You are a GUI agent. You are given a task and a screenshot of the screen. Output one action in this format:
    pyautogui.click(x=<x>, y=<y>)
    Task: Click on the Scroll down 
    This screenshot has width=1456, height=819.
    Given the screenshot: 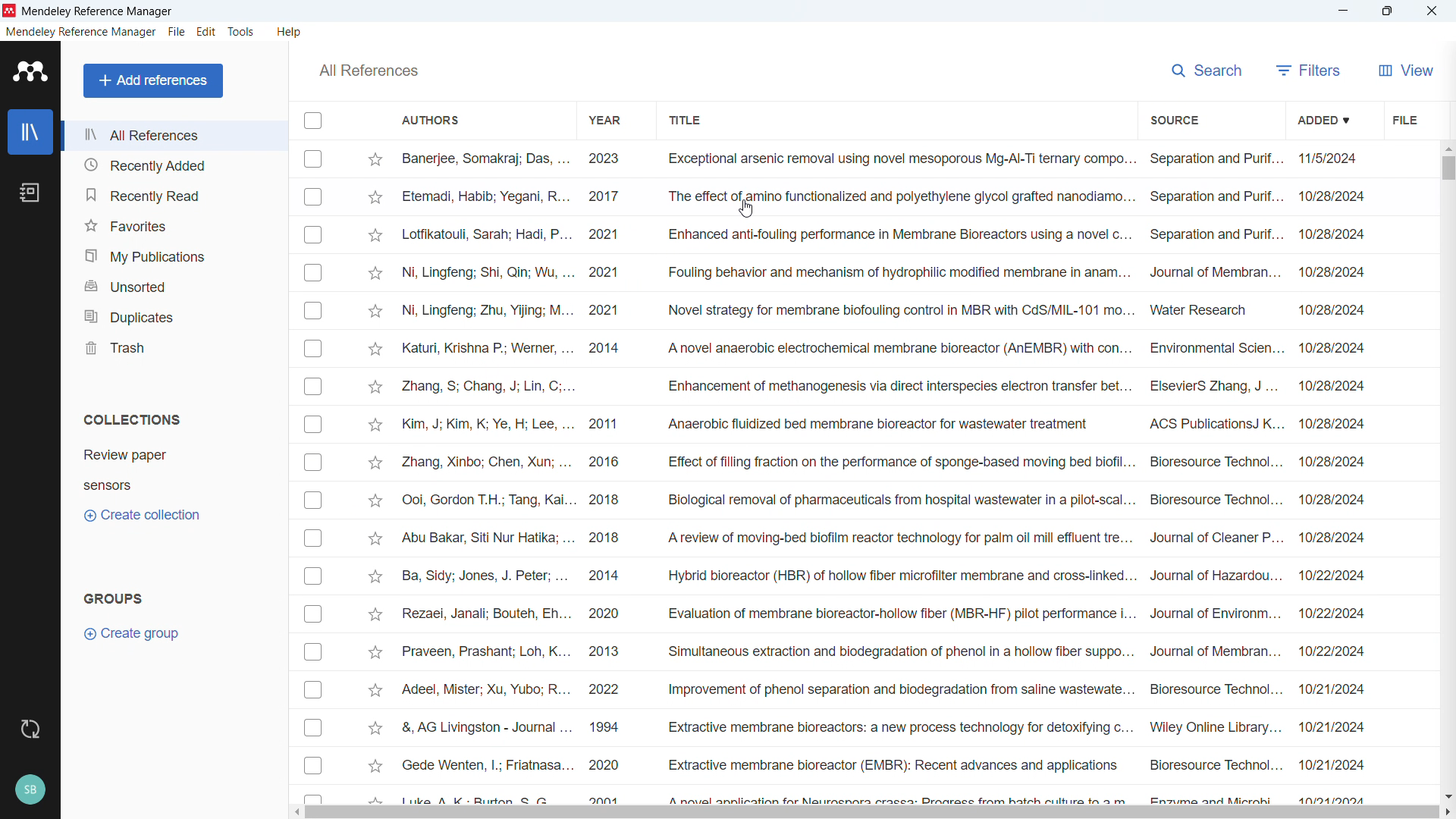 What is the action you would take?
    pyautogui.click(x=1447, y=795)
    